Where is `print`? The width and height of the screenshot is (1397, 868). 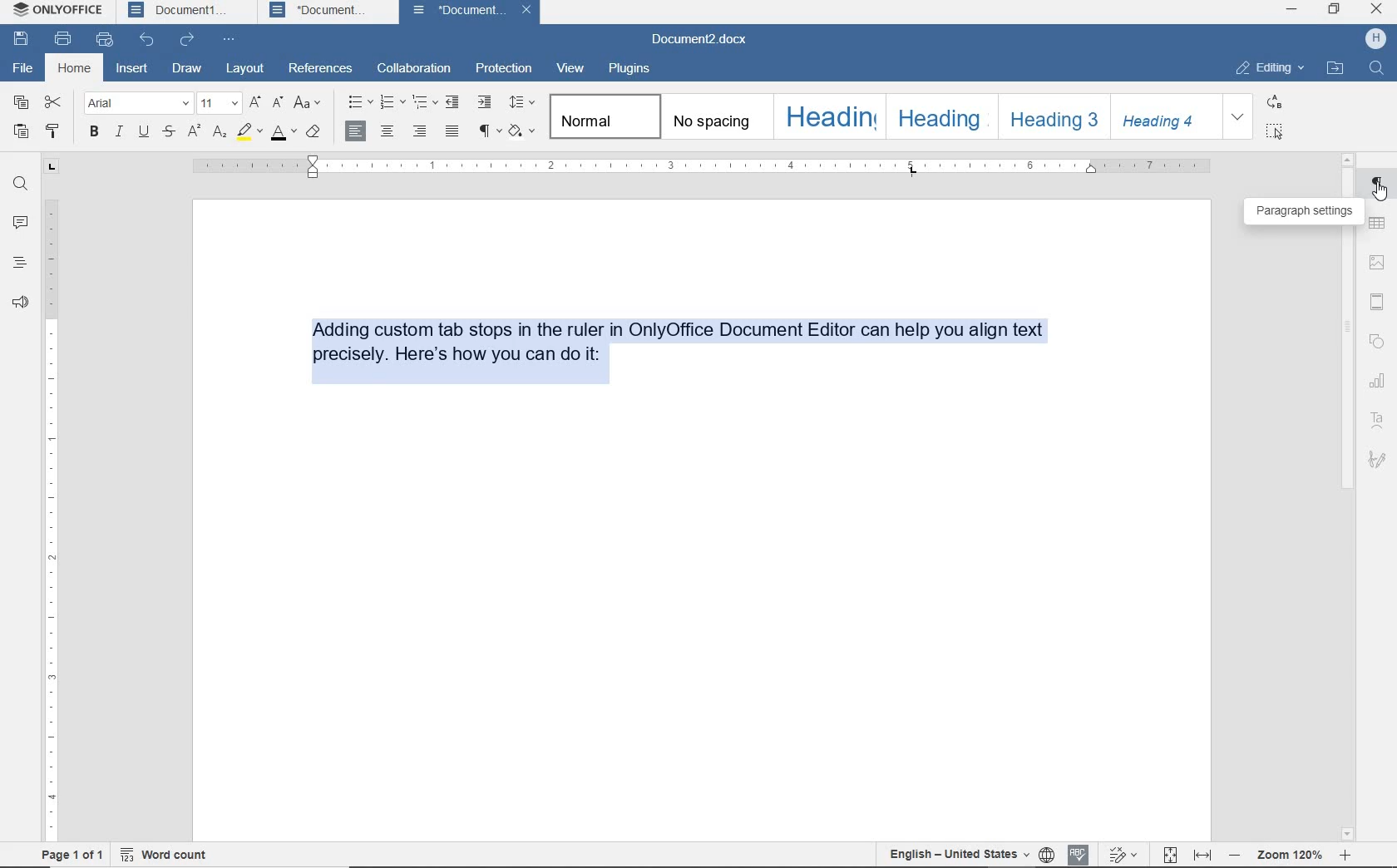 print is located at coordinates (63, 39).